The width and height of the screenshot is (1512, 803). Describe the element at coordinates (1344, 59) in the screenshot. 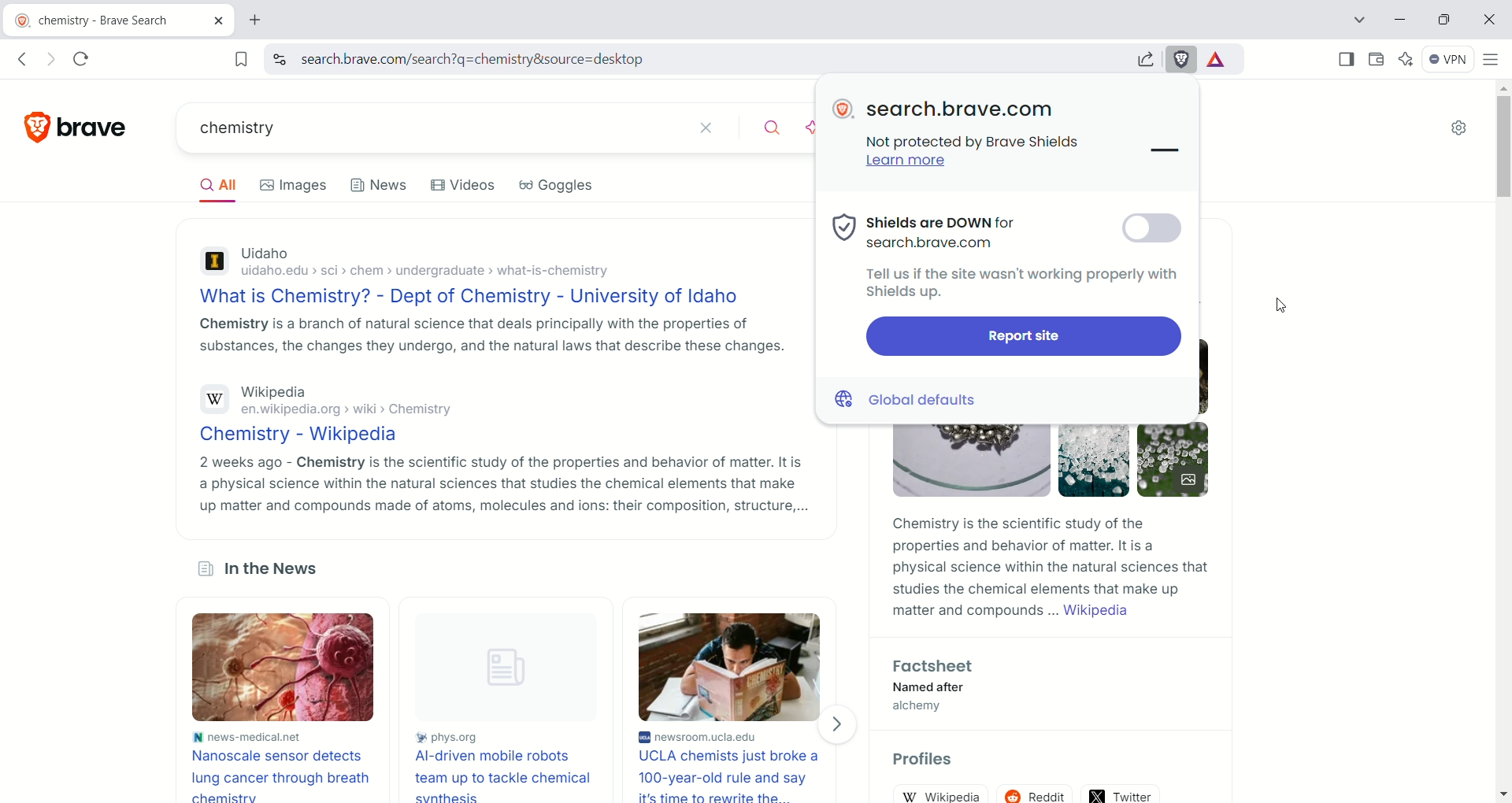

I see `show sidebar` at that location.